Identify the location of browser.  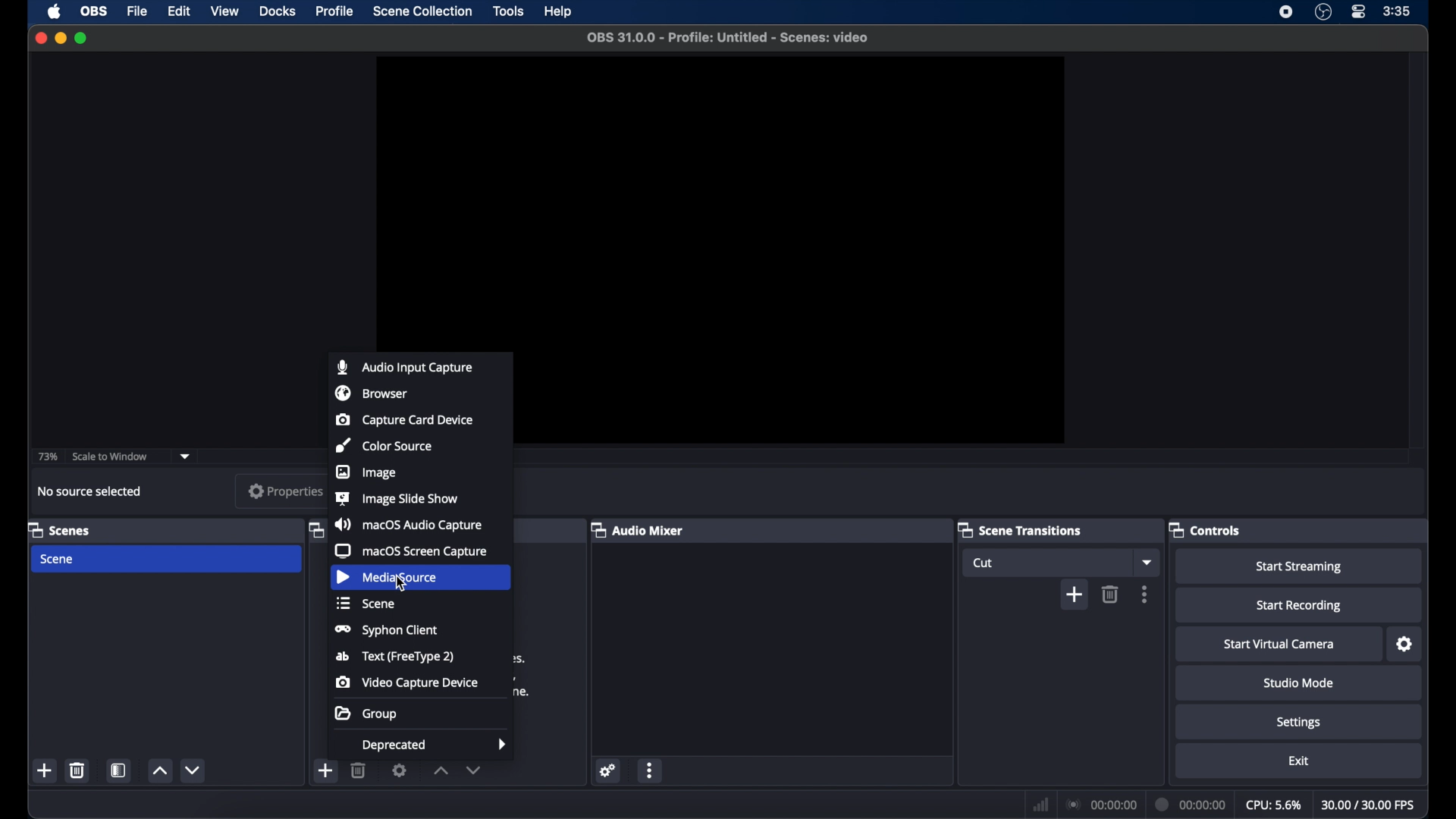
(370, 394).